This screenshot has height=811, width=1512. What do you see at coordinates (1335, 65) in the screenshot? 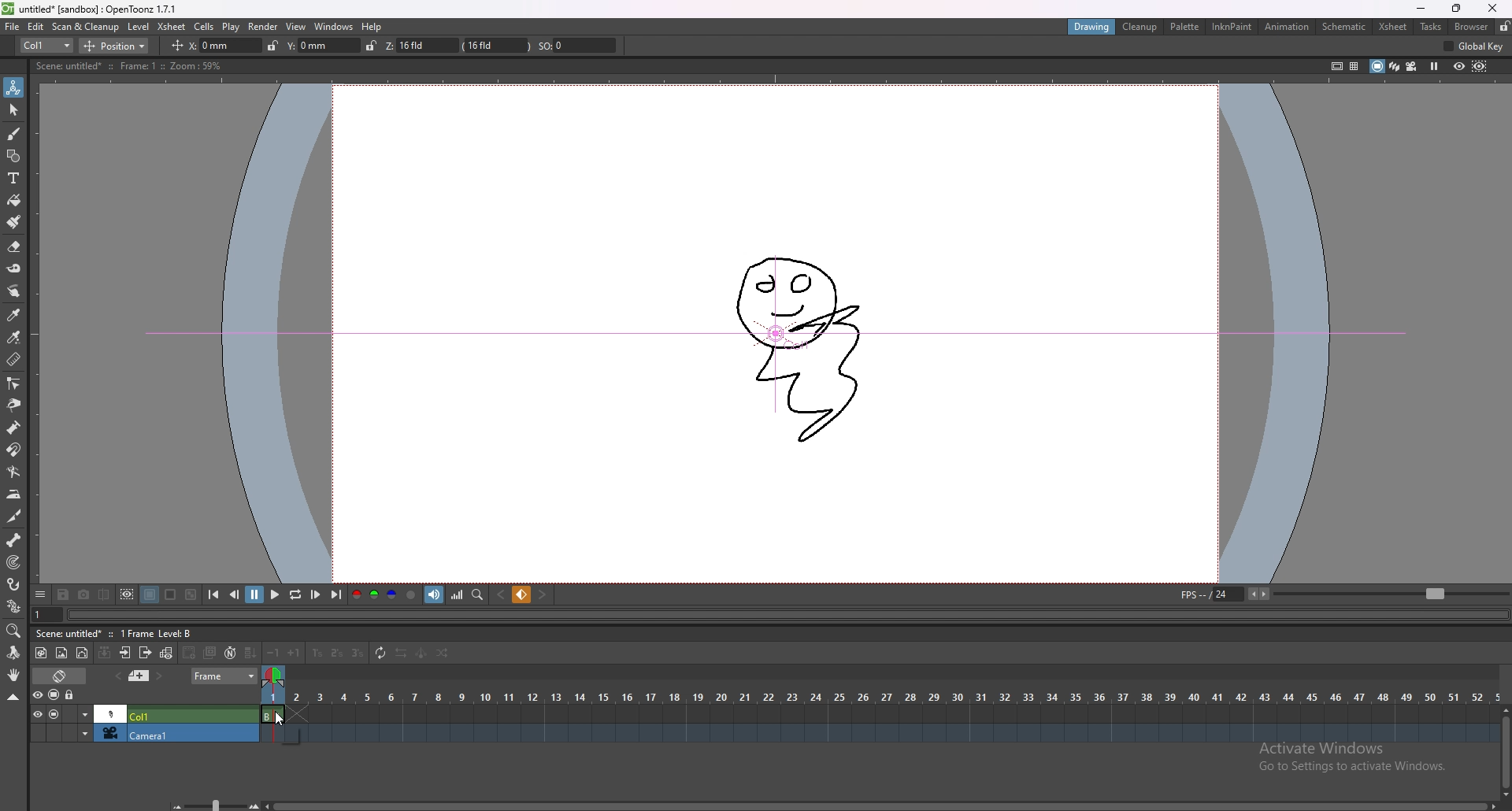
I see `safe area` at bounding box center [1335, 65].